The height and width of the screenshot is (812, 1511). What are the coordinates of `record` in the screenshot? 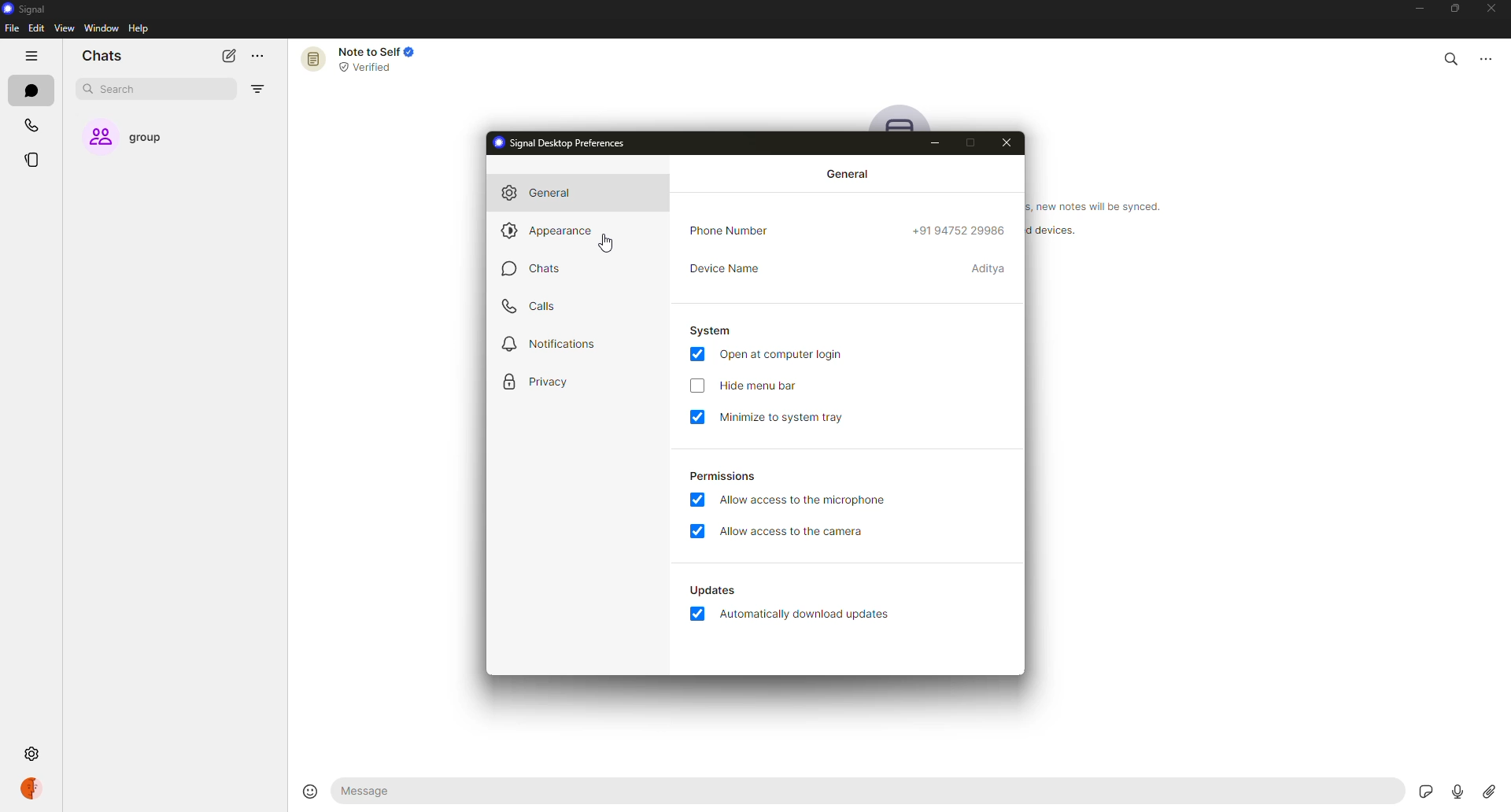 It's located at (1452, 791).